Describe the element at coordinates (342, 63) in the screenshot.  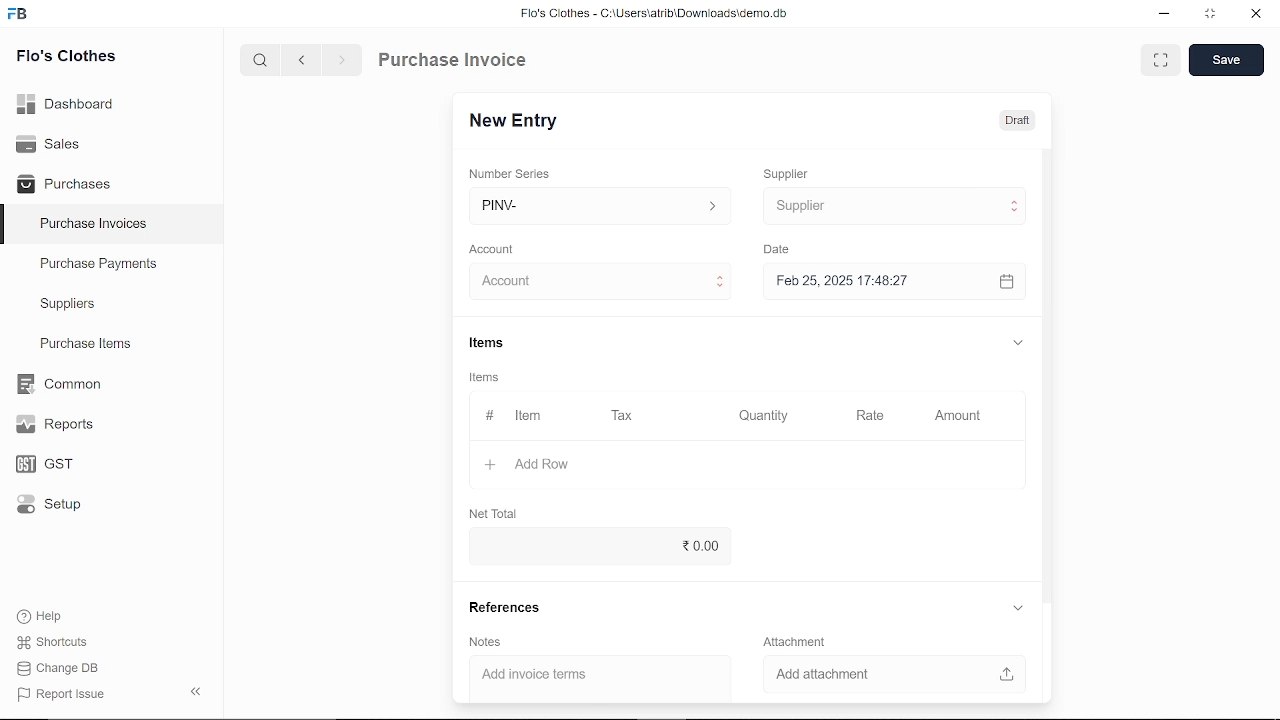
I see `next` at that location.